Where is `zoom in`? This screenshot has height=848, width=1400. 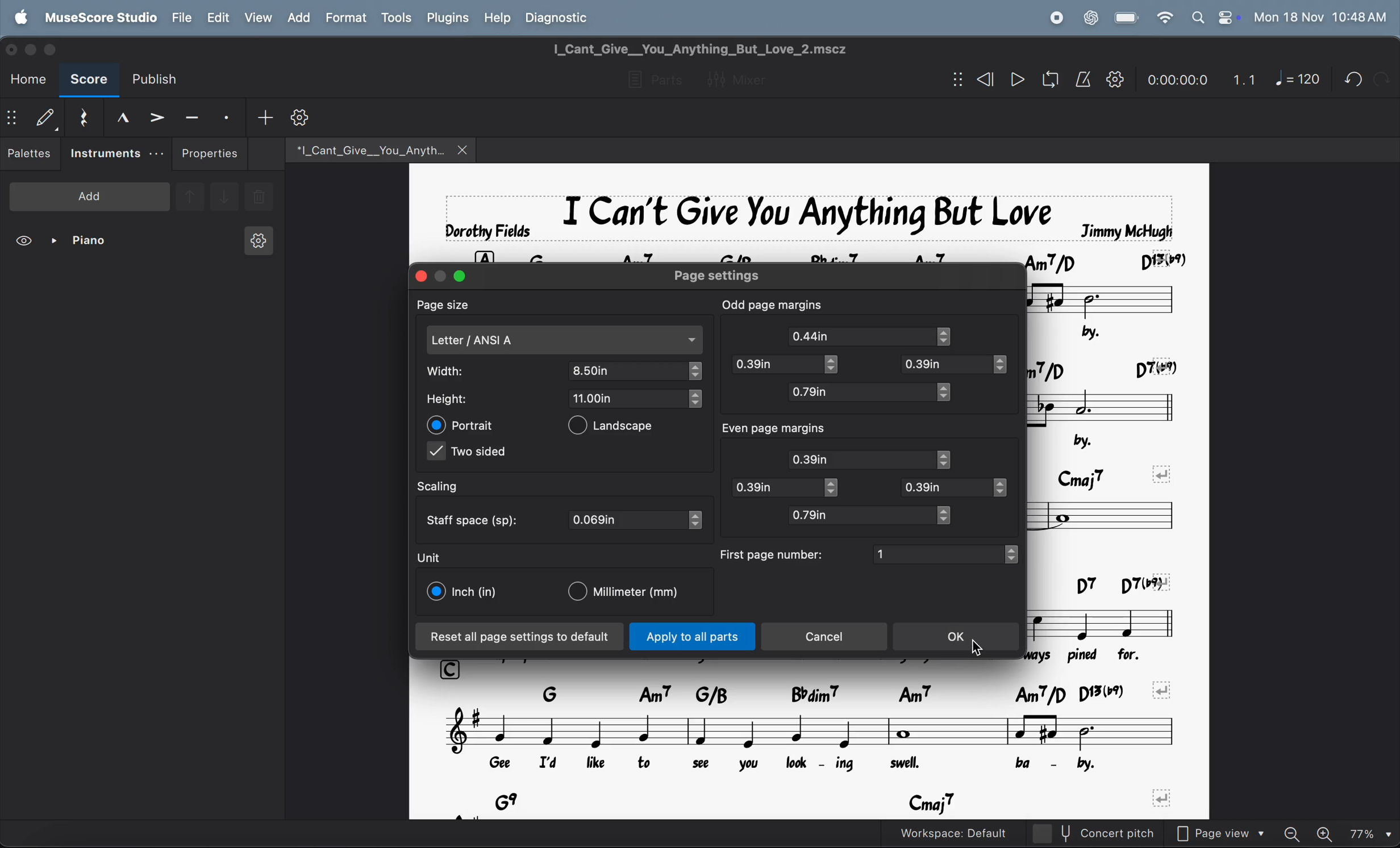 zoom in is located at coordinates (1327, 832).